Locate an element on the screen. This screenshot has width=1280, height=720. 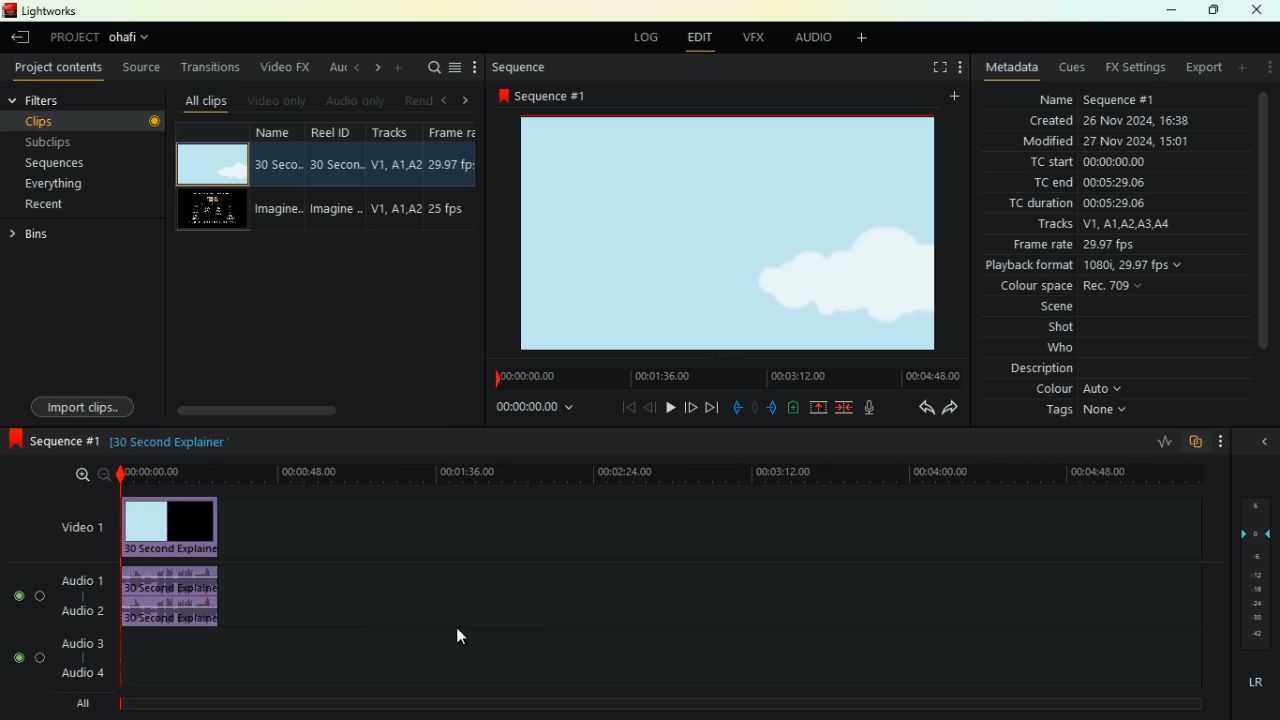
toggle is located at coordinates (42, 596).